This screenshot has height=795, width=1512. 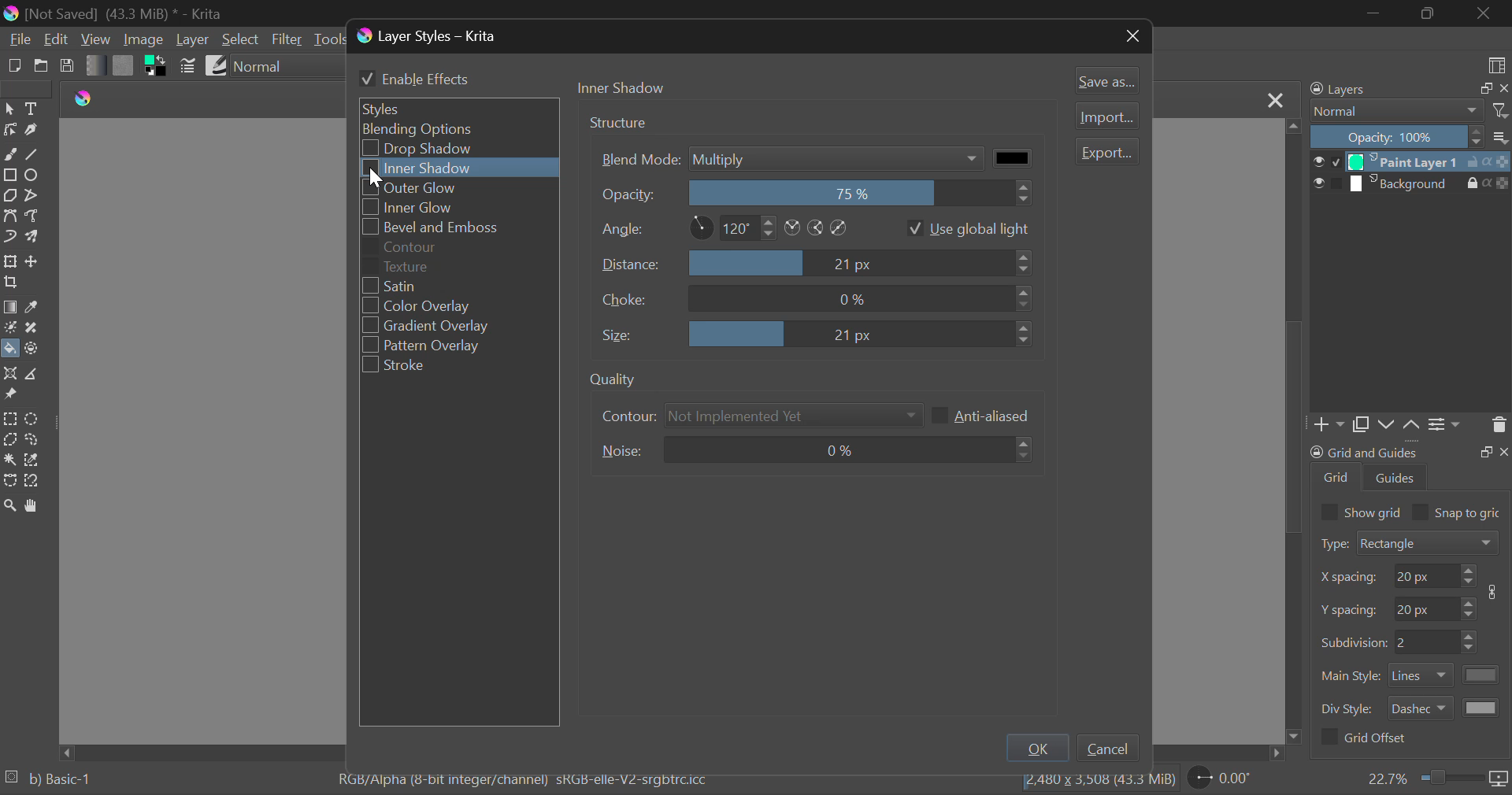 What do you see at coordinates (380, 178) in the screenshot?
I see `cursor` at bounding box center [380, 178].